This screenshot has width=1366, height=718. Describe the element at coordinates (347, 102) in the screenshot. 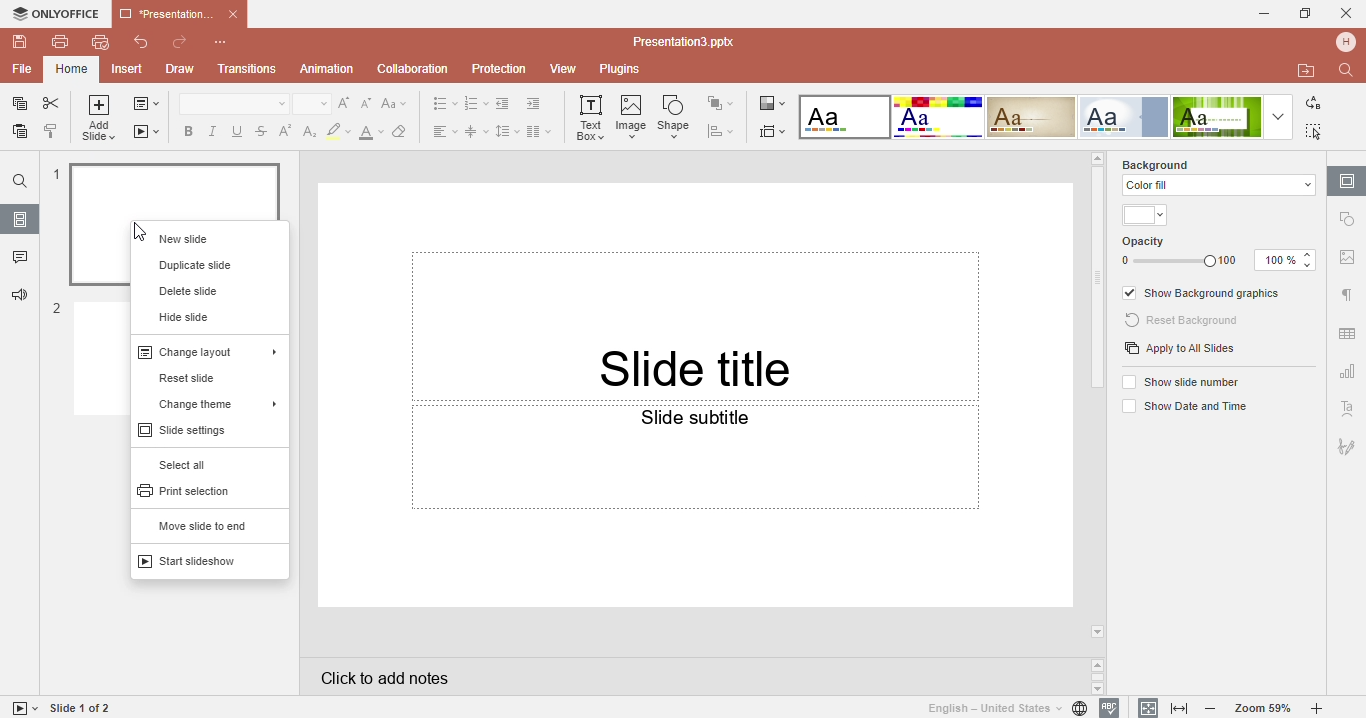

I see `Increment font size` at that location.